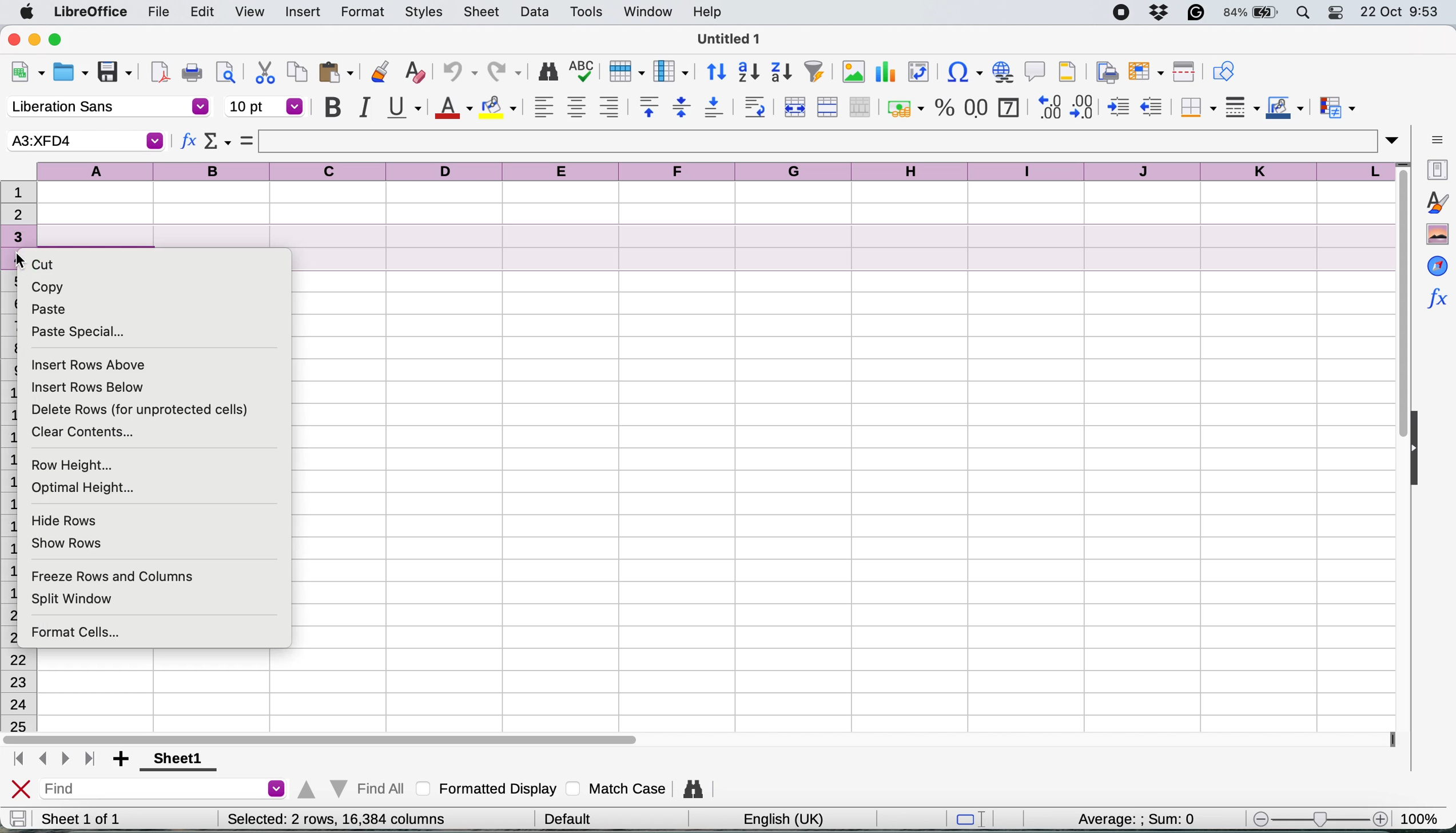  What do you see at coordinates (189, 143) in the screenshot?
I see `function wizard` at bounding box center [189, 143].